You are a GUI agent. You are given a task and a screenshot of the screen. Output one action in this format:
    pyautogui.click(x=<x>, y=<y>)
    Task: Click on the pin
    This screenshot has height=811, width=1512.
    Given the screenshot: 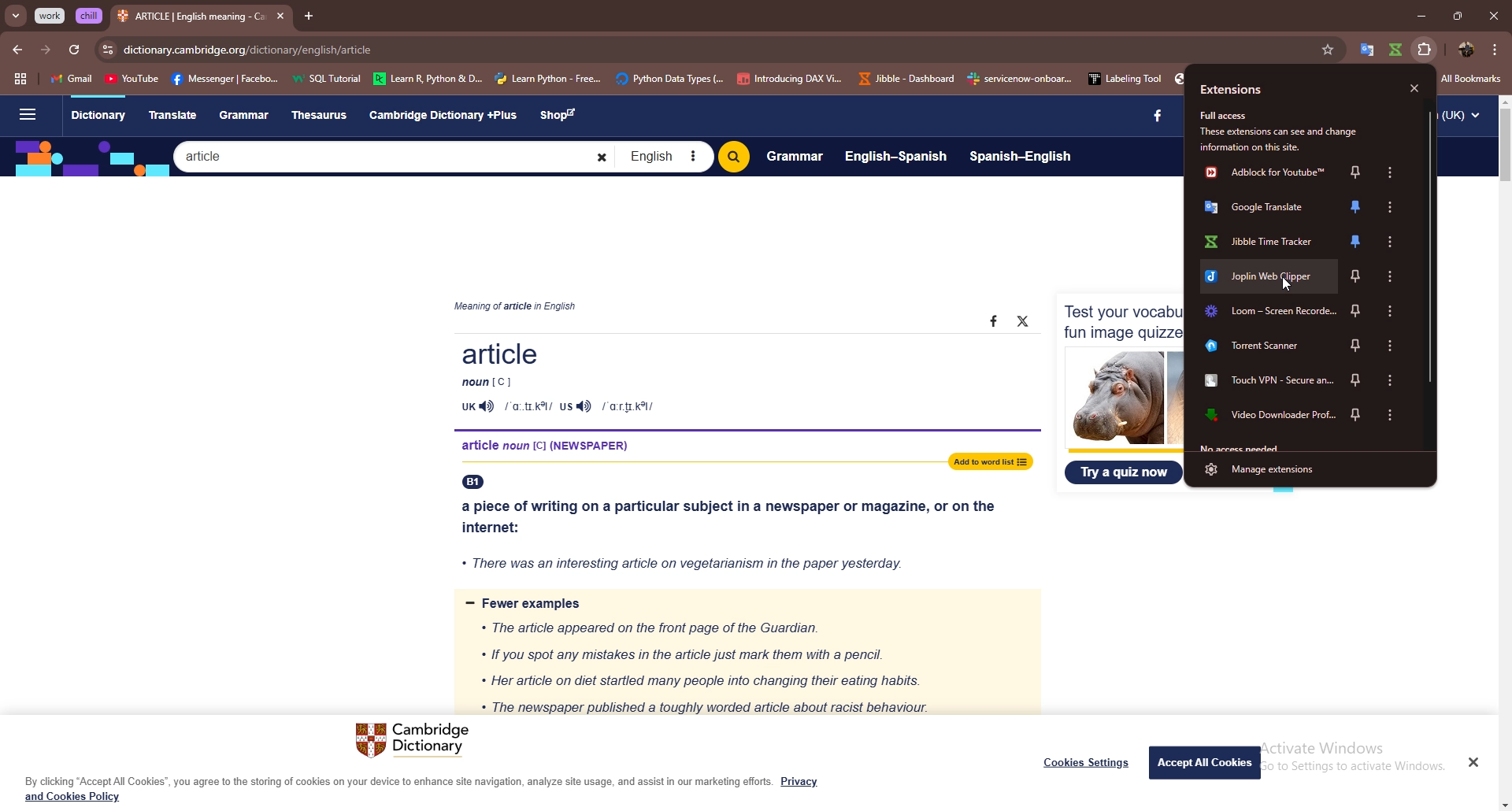 What is the action you would take?
    pyautogui.click(x=1356, y=172)
    